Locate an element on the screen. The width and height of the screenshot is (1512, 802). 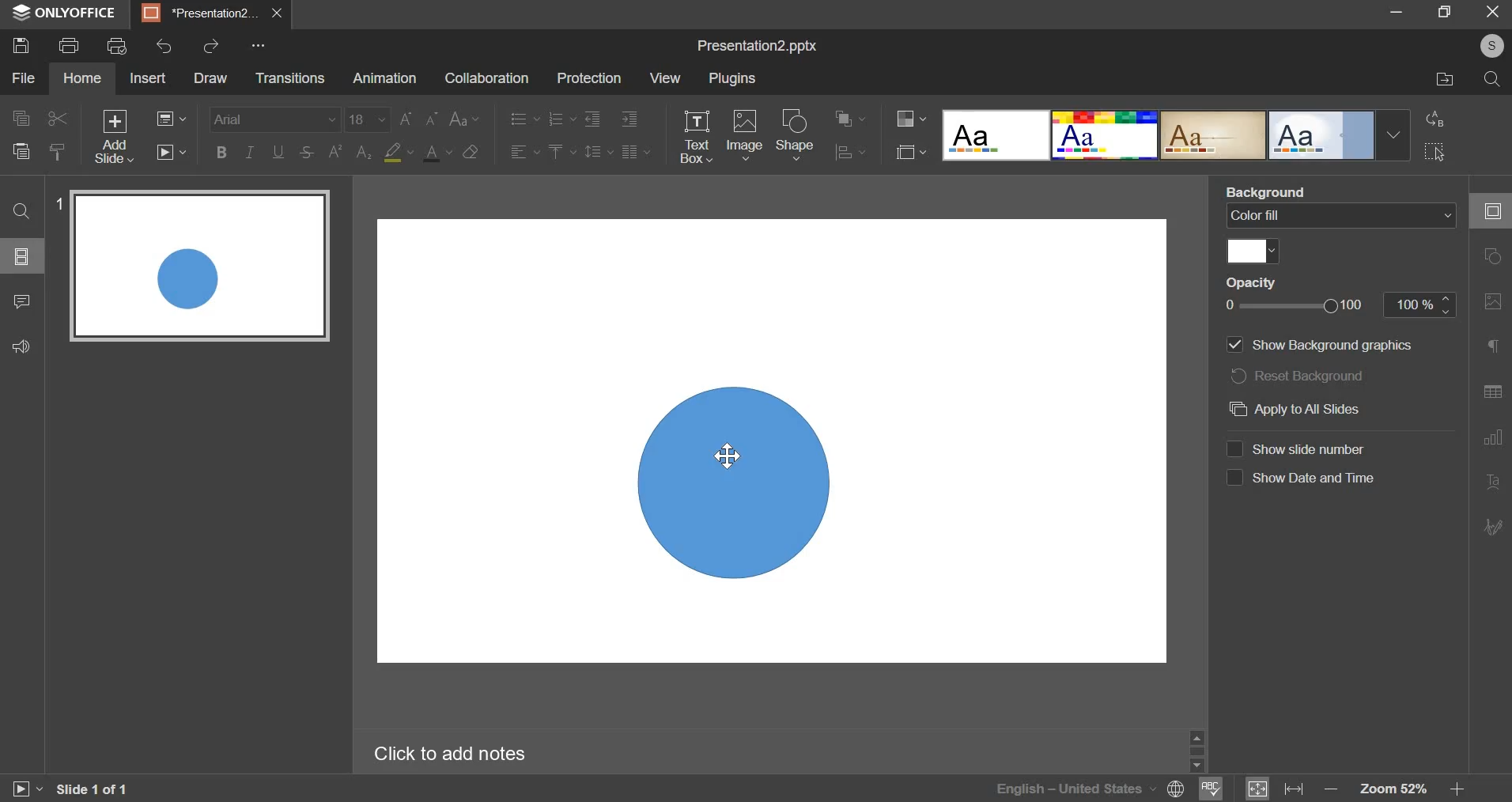
copy slide is located at coordinates (58, 152).